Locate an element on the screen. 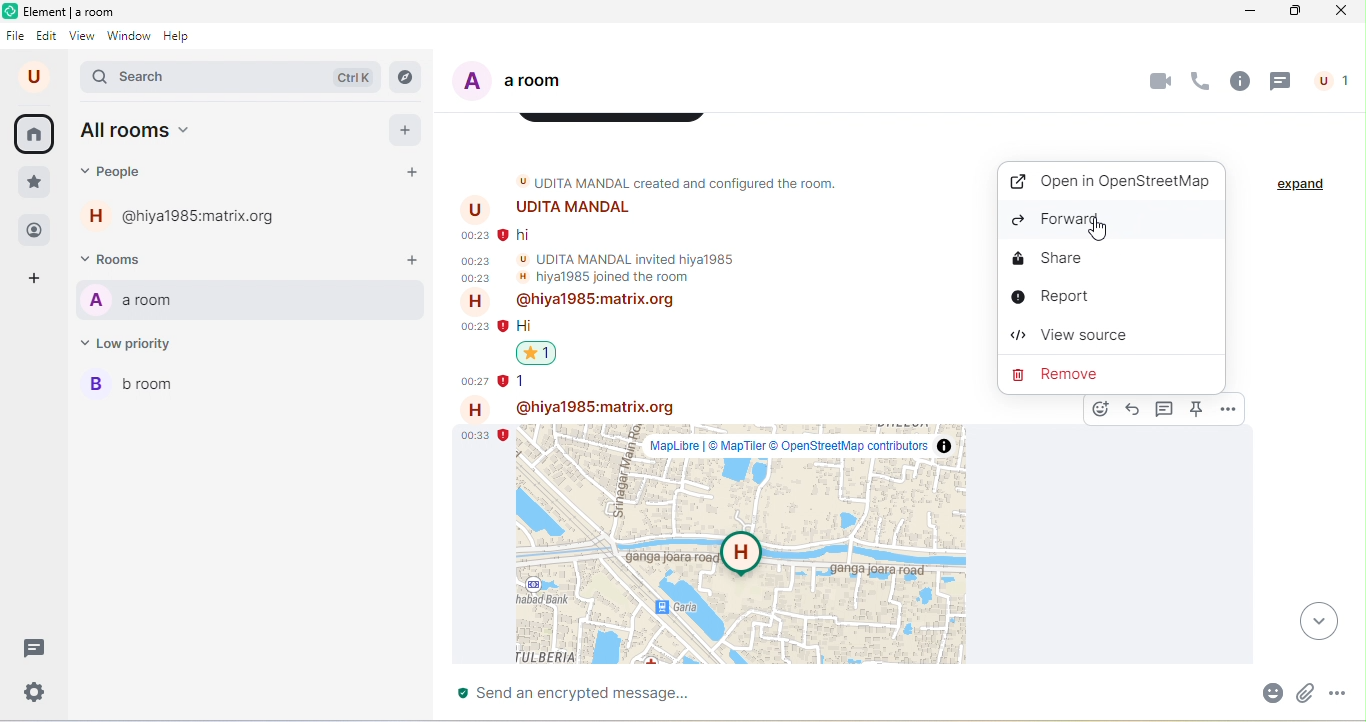  options dialog box is located at coordinates (1179, 409).